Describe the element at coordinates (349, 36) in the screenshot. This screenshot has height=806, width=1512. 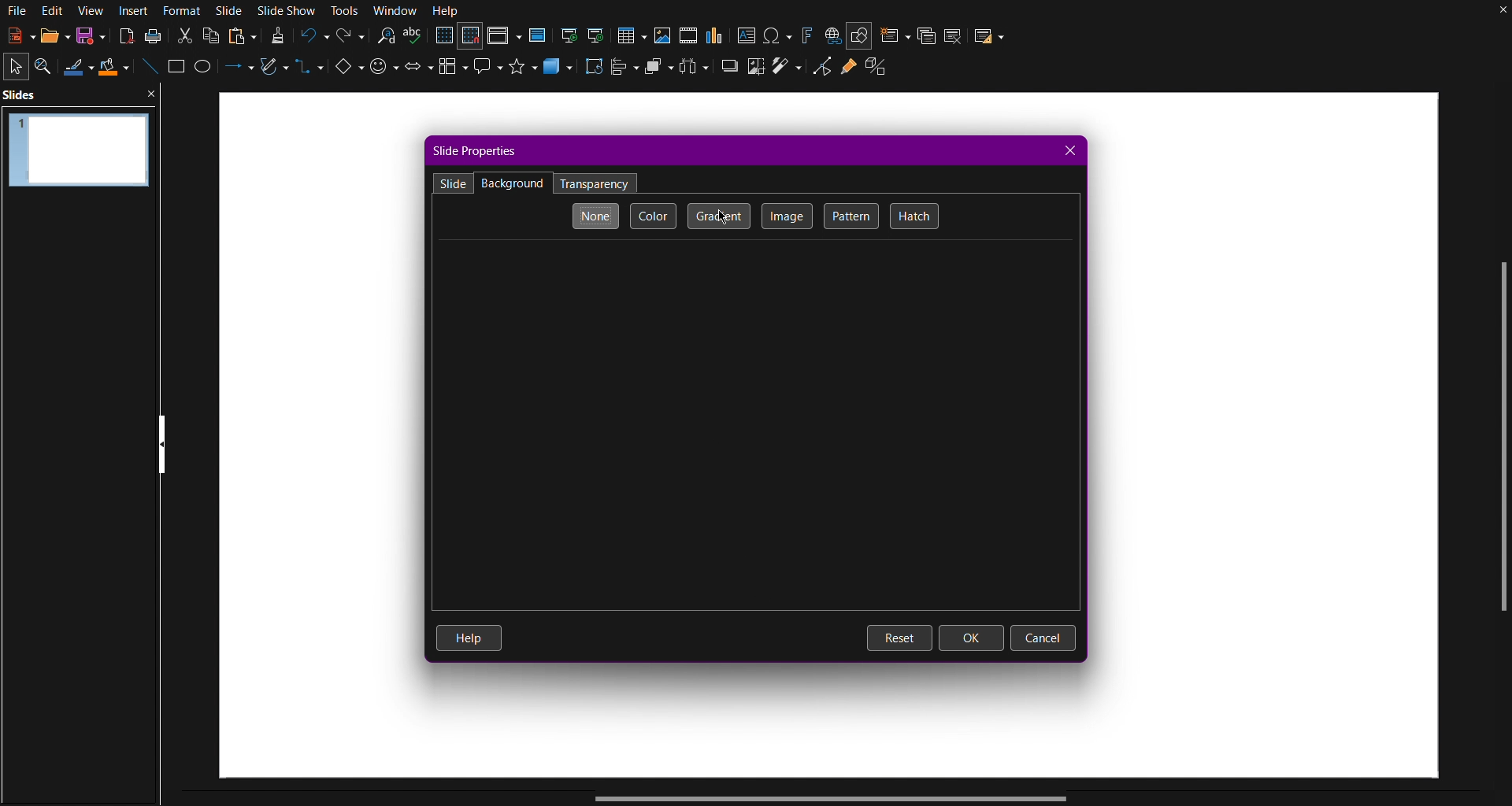
I see `Redo` at that location.